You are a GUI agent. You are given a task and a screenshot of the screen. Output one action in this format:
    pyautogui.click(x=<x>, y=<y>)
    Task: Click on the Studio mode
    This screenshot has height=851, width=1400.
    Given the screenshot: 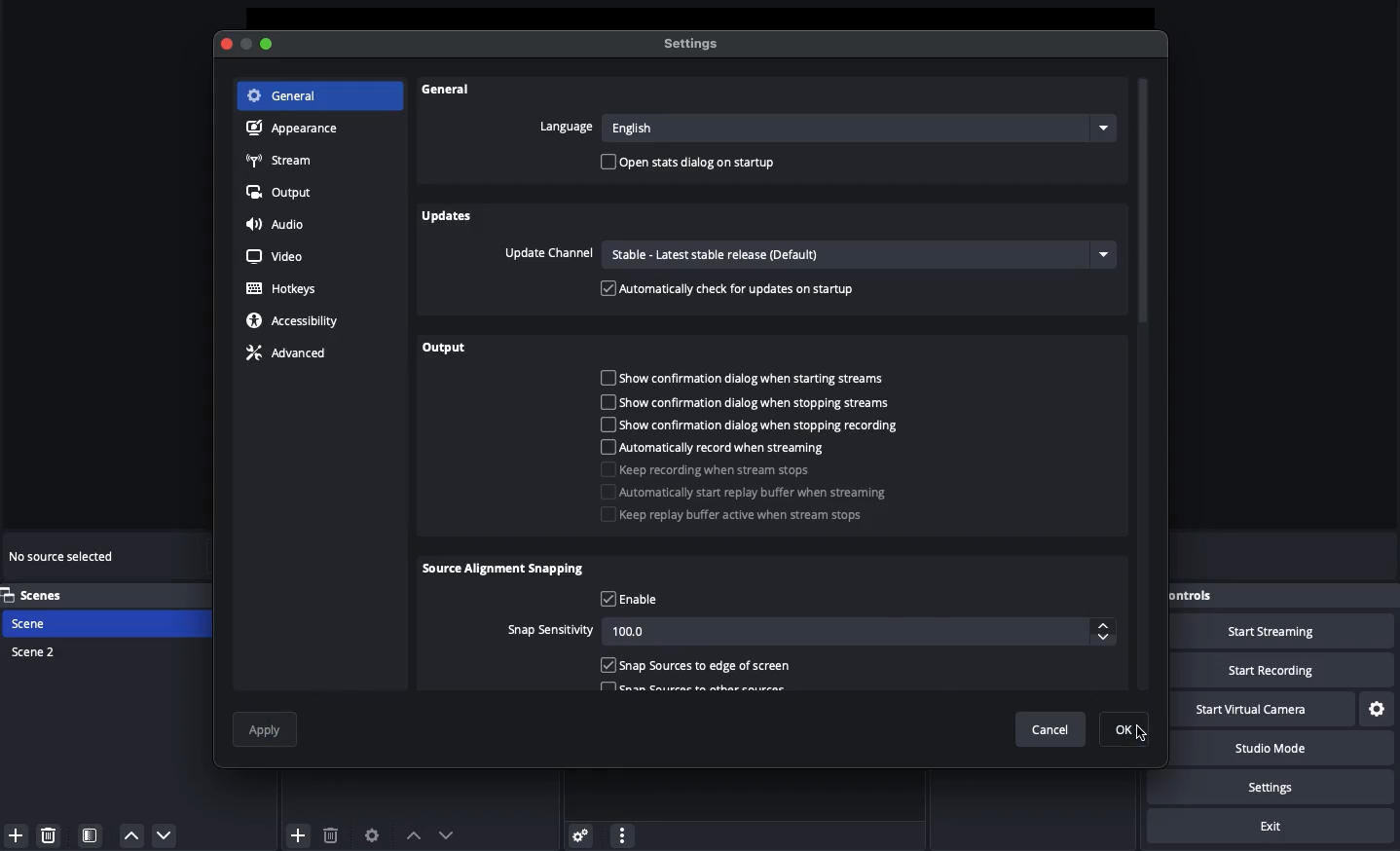 What is the action you would take?
    pyautogui.click(x=1285, y=751)
    